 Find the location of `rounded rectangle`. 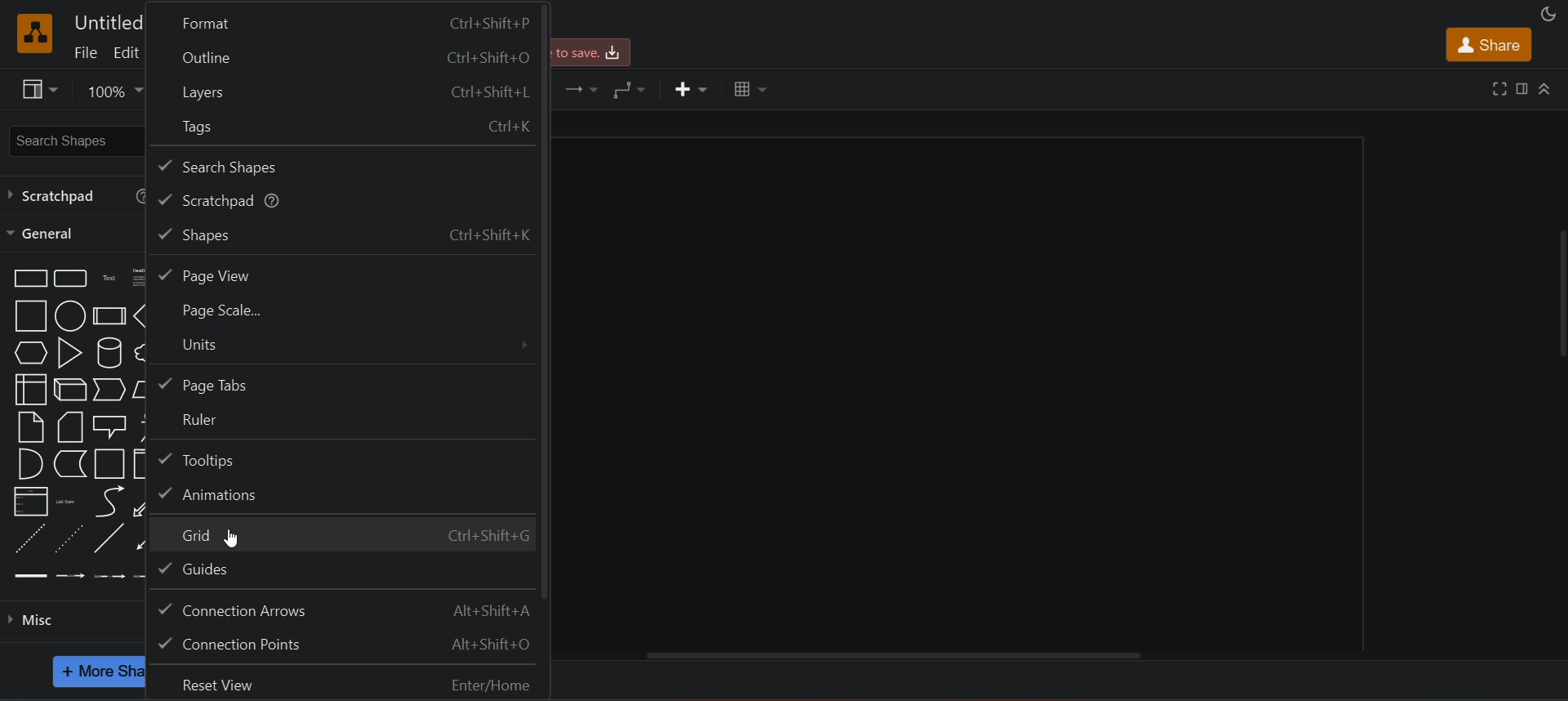

rounded rectangle is located at coordinates (70, 277).